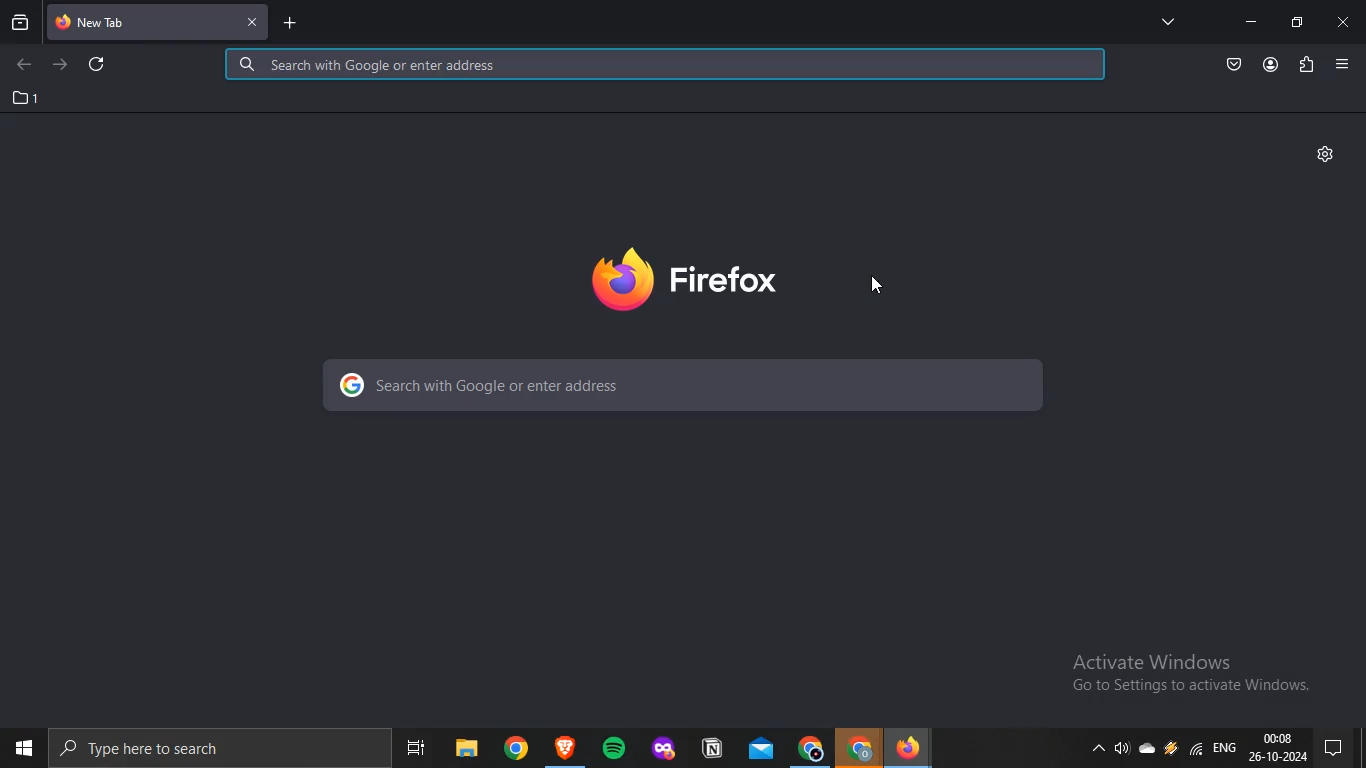 Image resolution: width=1366 pixels, height=768 pixels. What do you see at coordinates (289, 25) in the screenshot?
I see `new tab` at bounding box center [289, 25].